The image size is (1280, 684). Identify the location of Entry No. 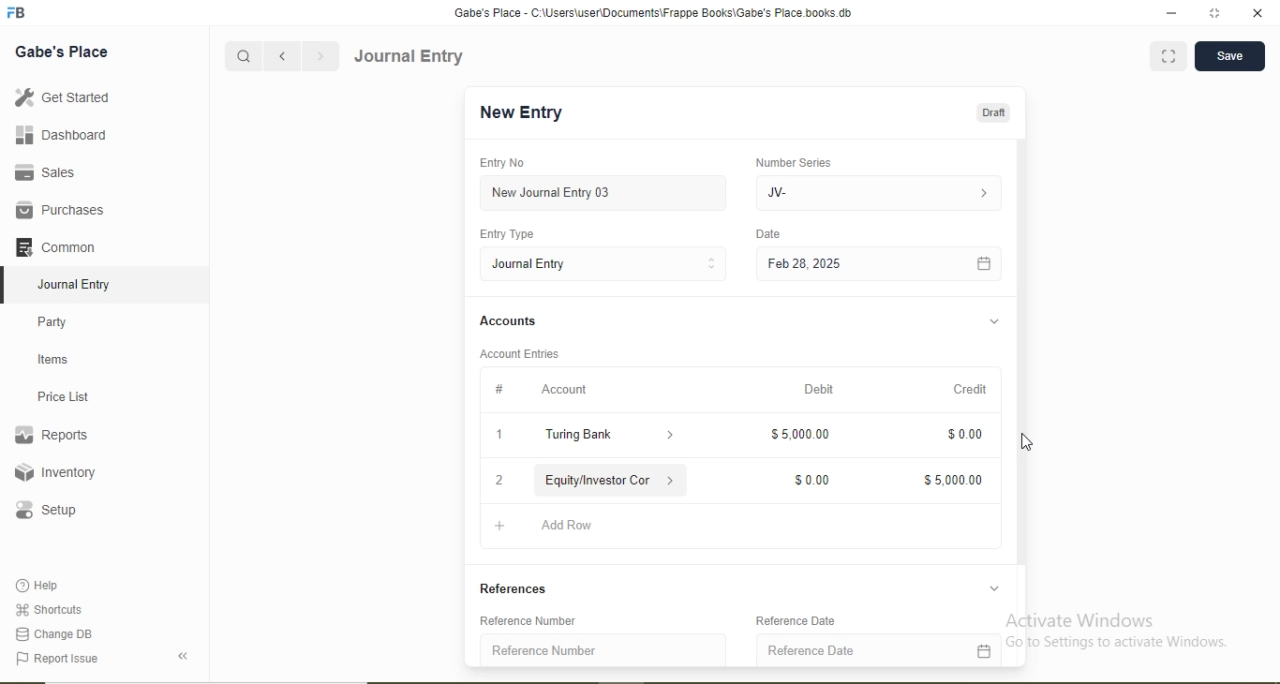
(501, 162).